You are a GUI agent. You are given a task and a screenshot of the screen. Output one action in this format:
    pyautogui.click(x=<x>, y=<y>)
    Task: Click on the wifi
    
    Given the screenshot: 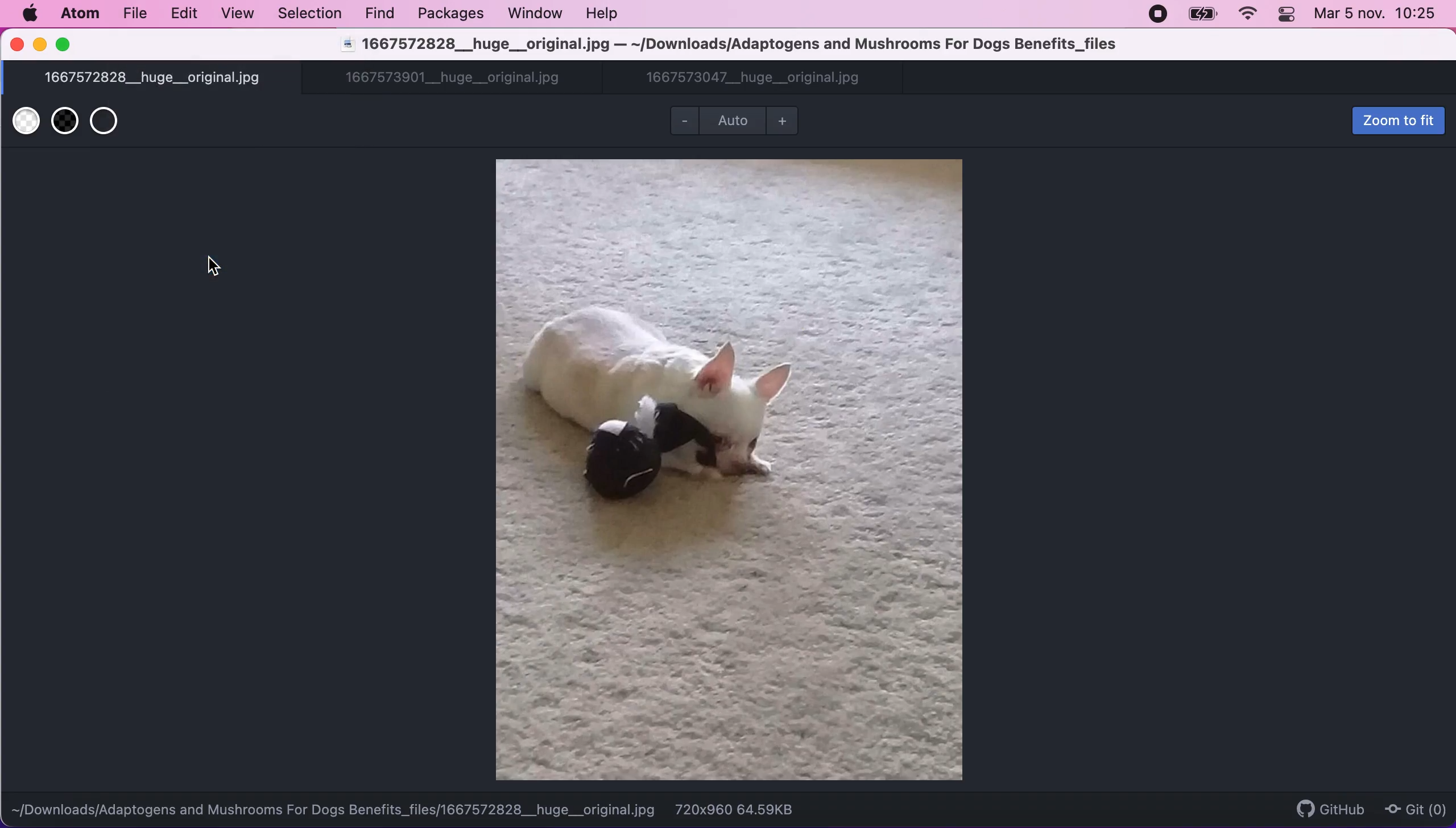 What is the action you would take?
    pyautogui.click(x=1248, y=15)
    